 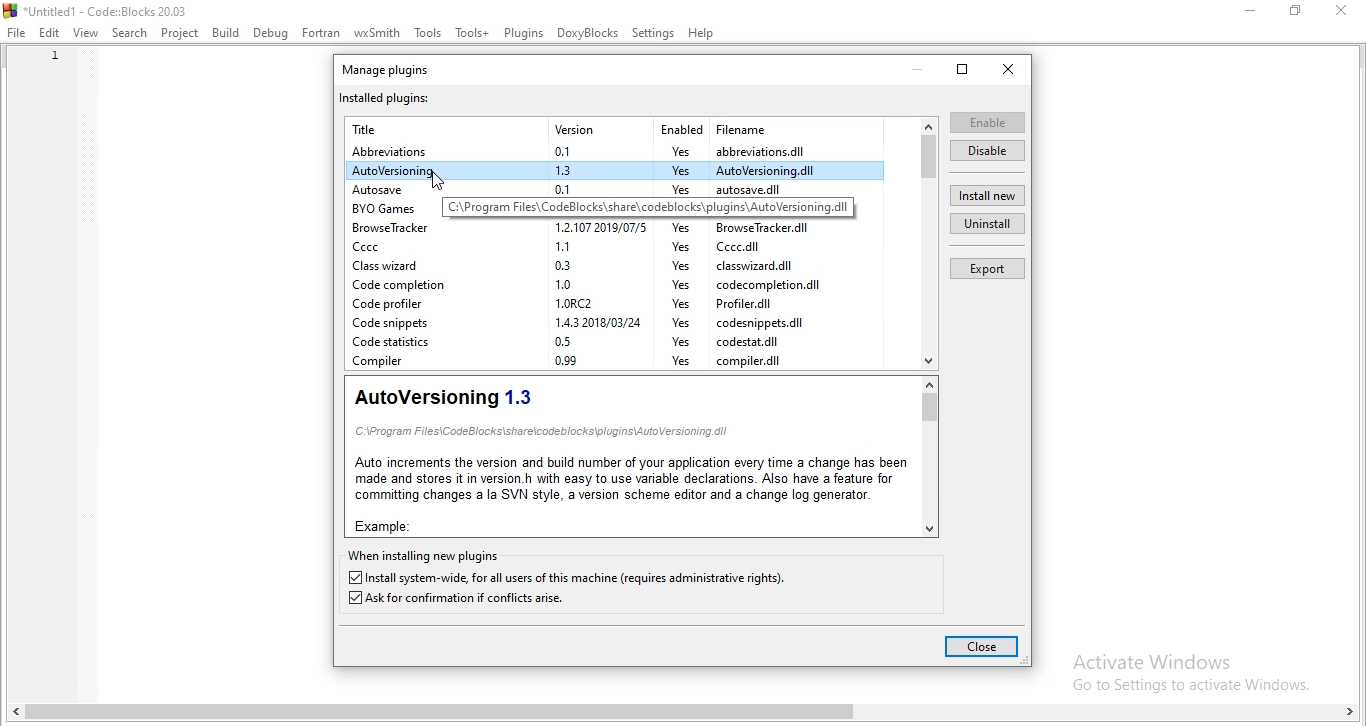 I want to click on Autosave 0.1 Yes autosave.dll, so click(x=592, y=190).